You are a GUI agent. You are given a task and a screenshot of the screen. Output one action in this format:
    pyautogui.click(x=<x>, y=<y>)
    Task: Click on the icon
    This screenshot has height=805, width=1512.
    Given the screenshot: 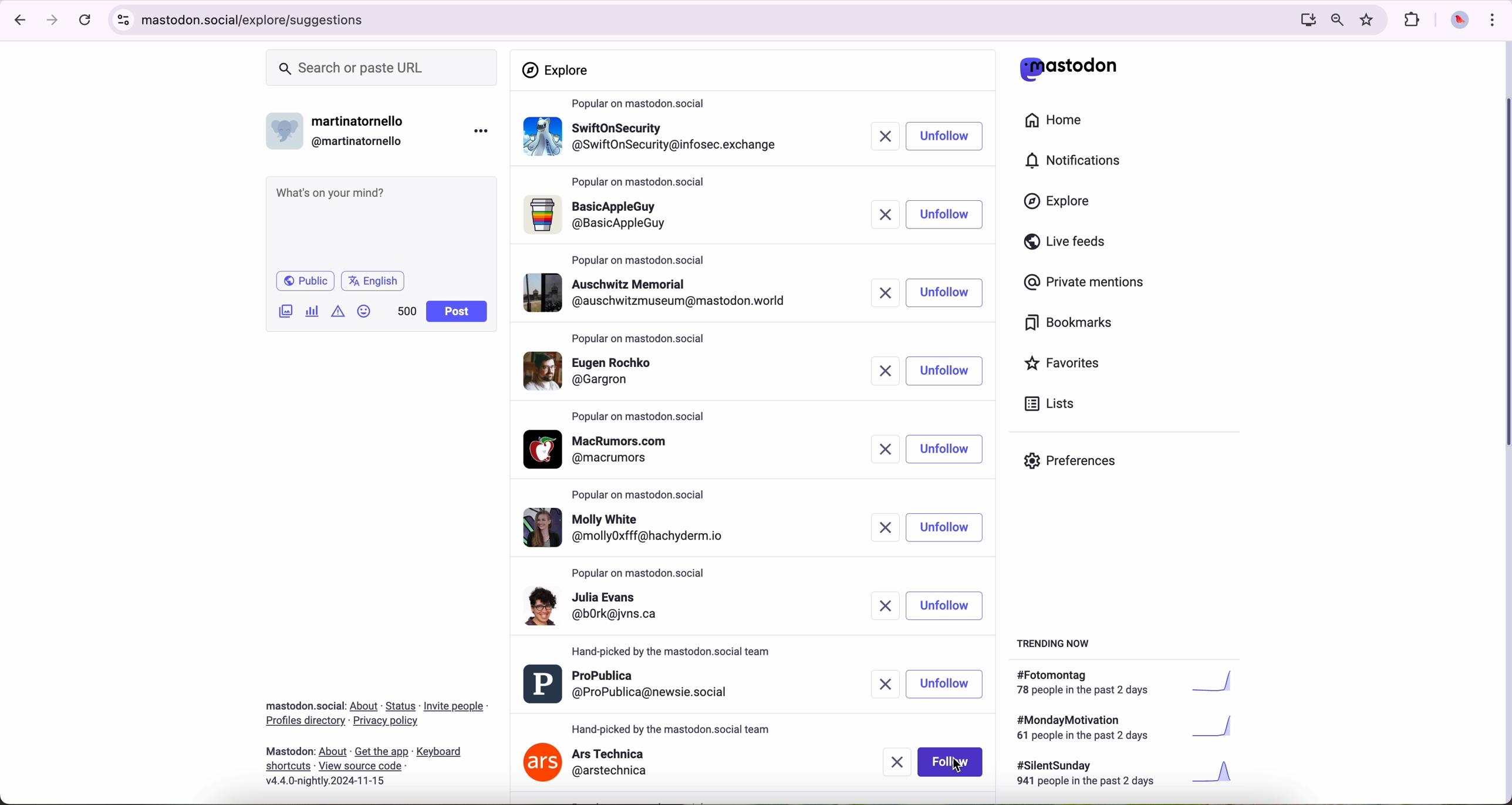 What is the action you would take?
    pyautogui.click(x=339, y=311)
    